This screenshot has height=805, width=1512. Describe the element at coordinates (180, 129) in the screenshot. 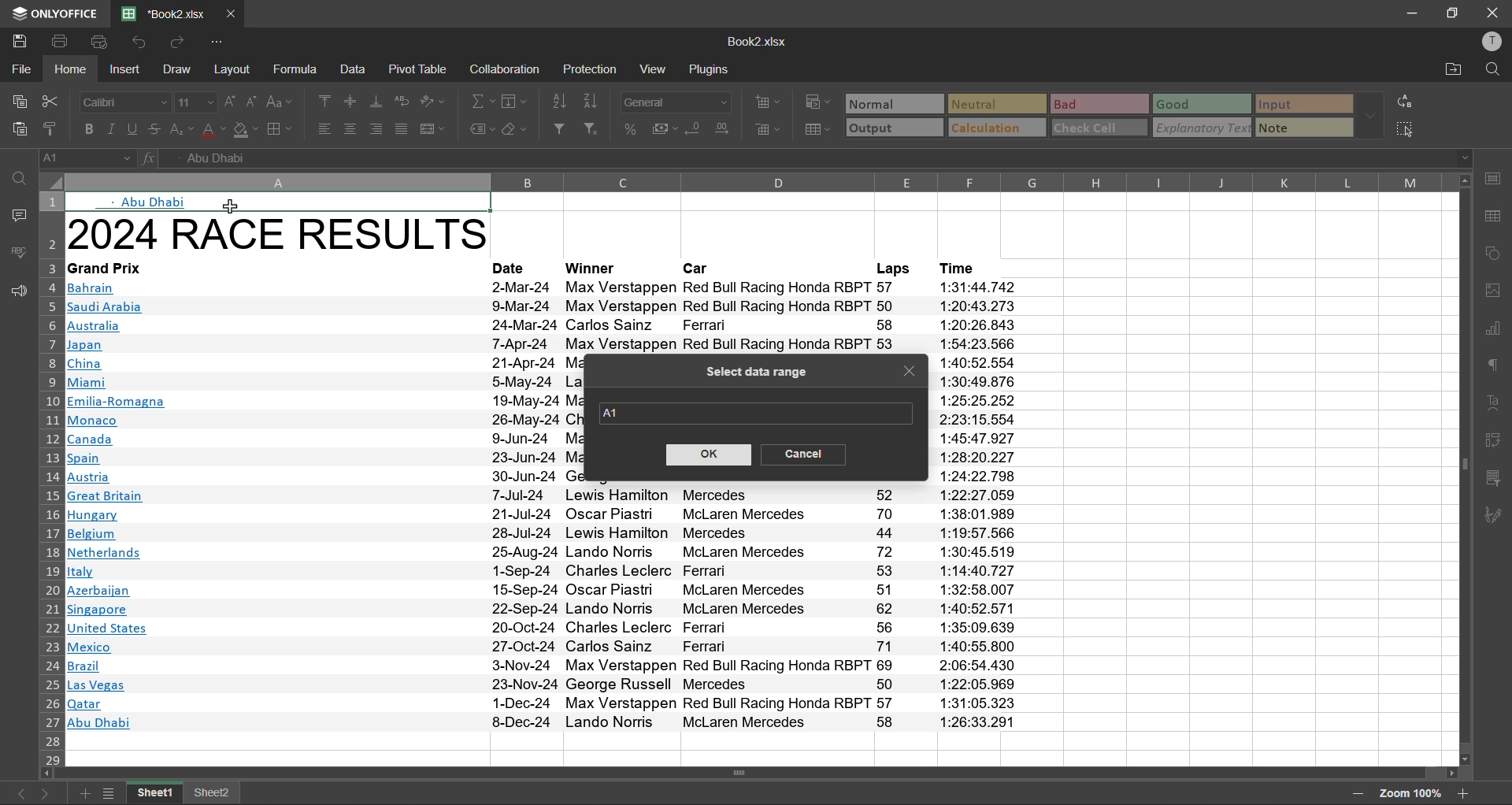

I see `sub/superscript` at that location.